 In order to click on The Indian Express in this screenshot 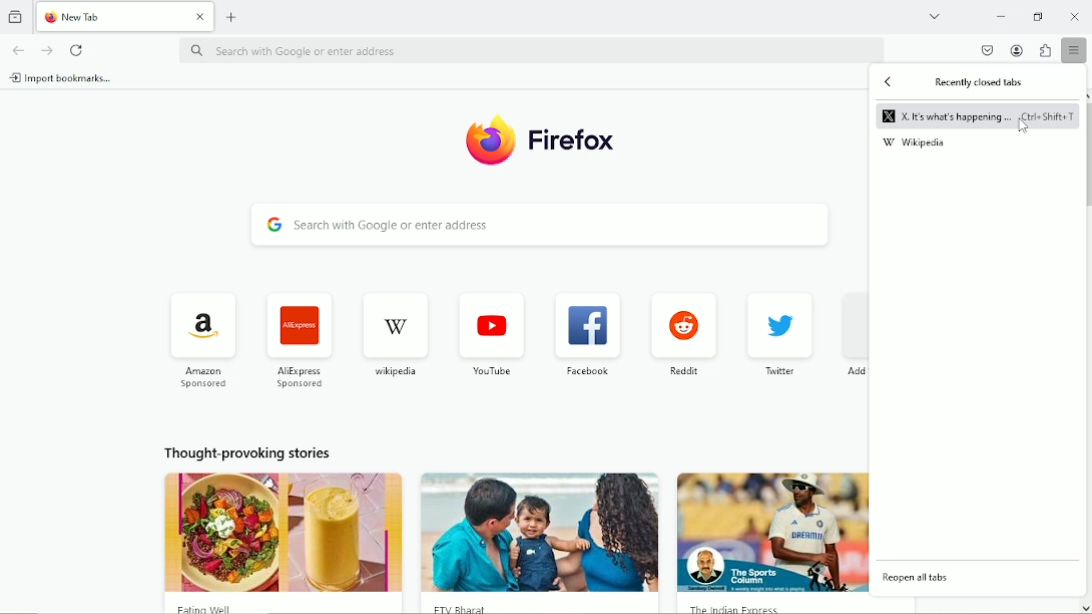, I will do `click(771, 605)`.